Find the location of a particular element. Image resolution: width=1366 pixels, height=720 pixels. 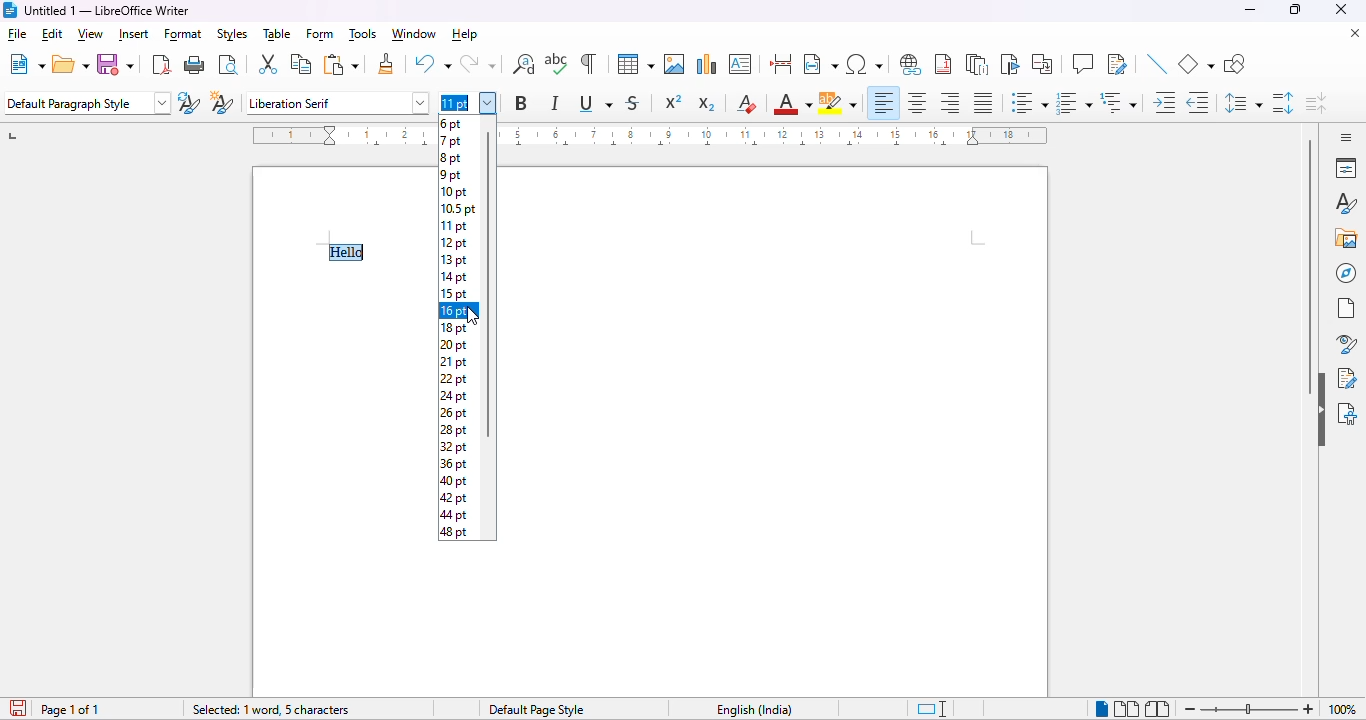

insert line is located at coordinates (1158, 65).